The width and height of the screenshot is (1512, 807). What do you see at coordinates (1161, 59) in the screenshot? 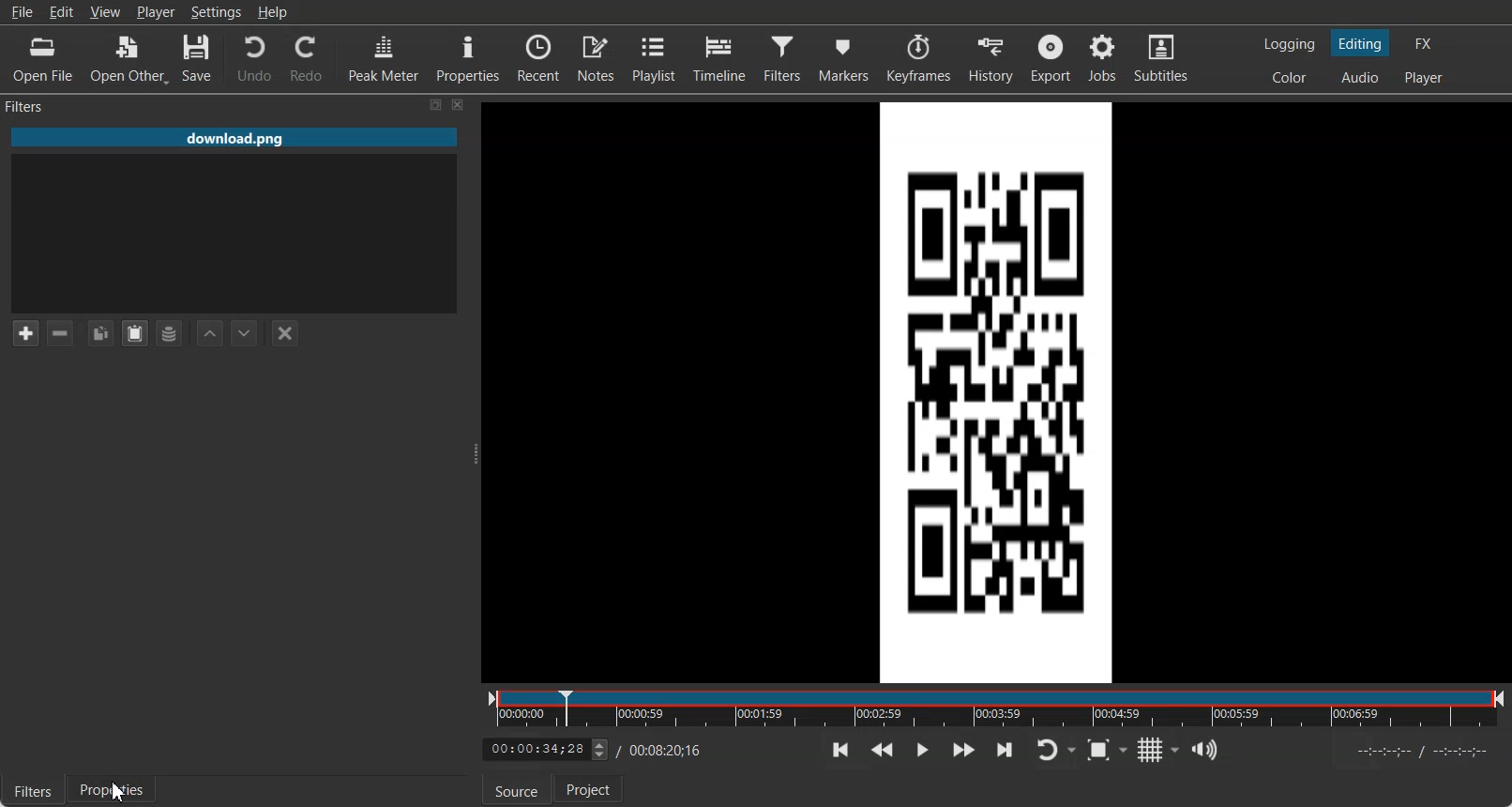
I see `Subtitles` at bounding box center [1161, 59].